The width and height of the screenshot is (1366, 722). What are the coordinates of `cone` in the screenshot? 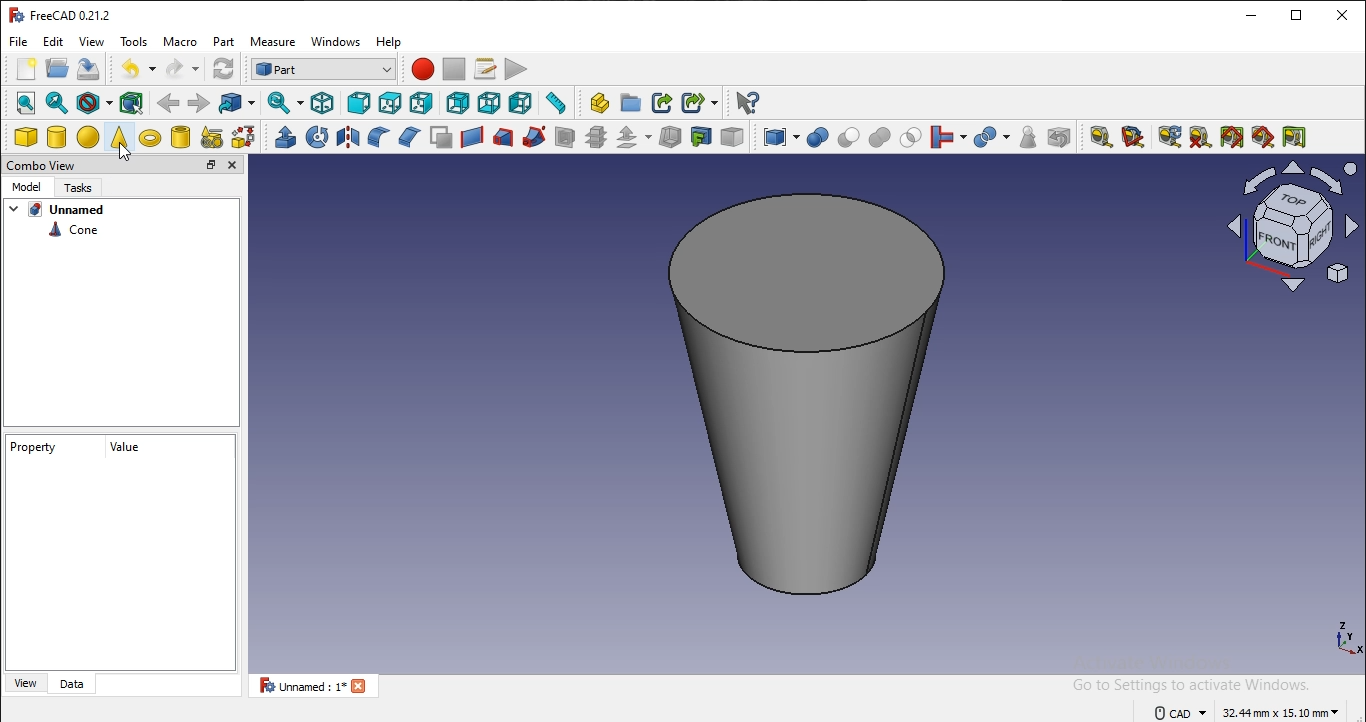 It's located at (118, 137).